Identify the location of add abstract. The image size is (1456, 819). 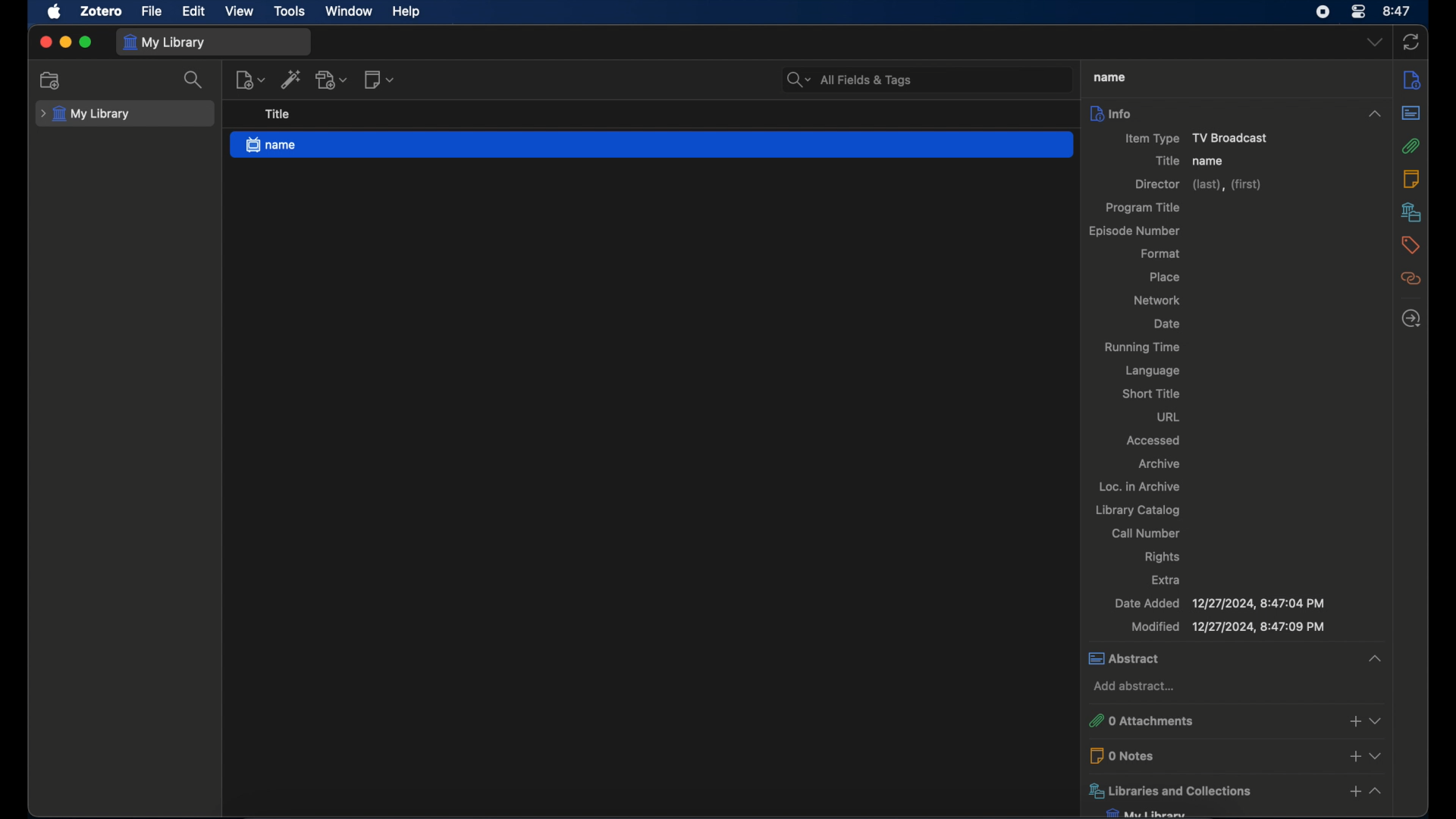
(1134, 687).